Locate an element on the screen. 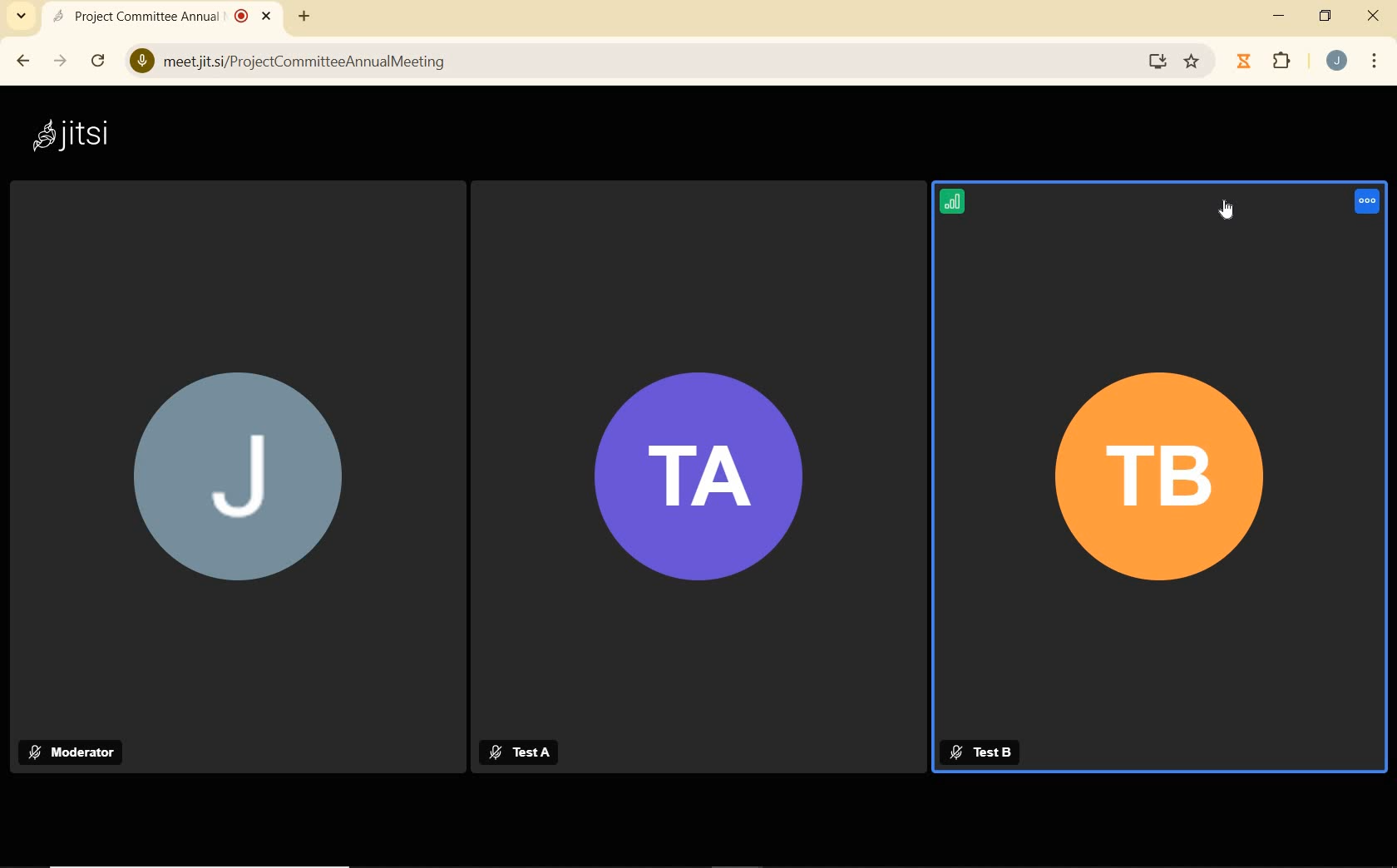 Image resolution: width=1397 pixels, height=868 pixels. Download website is located at coordinates (1155, 62).